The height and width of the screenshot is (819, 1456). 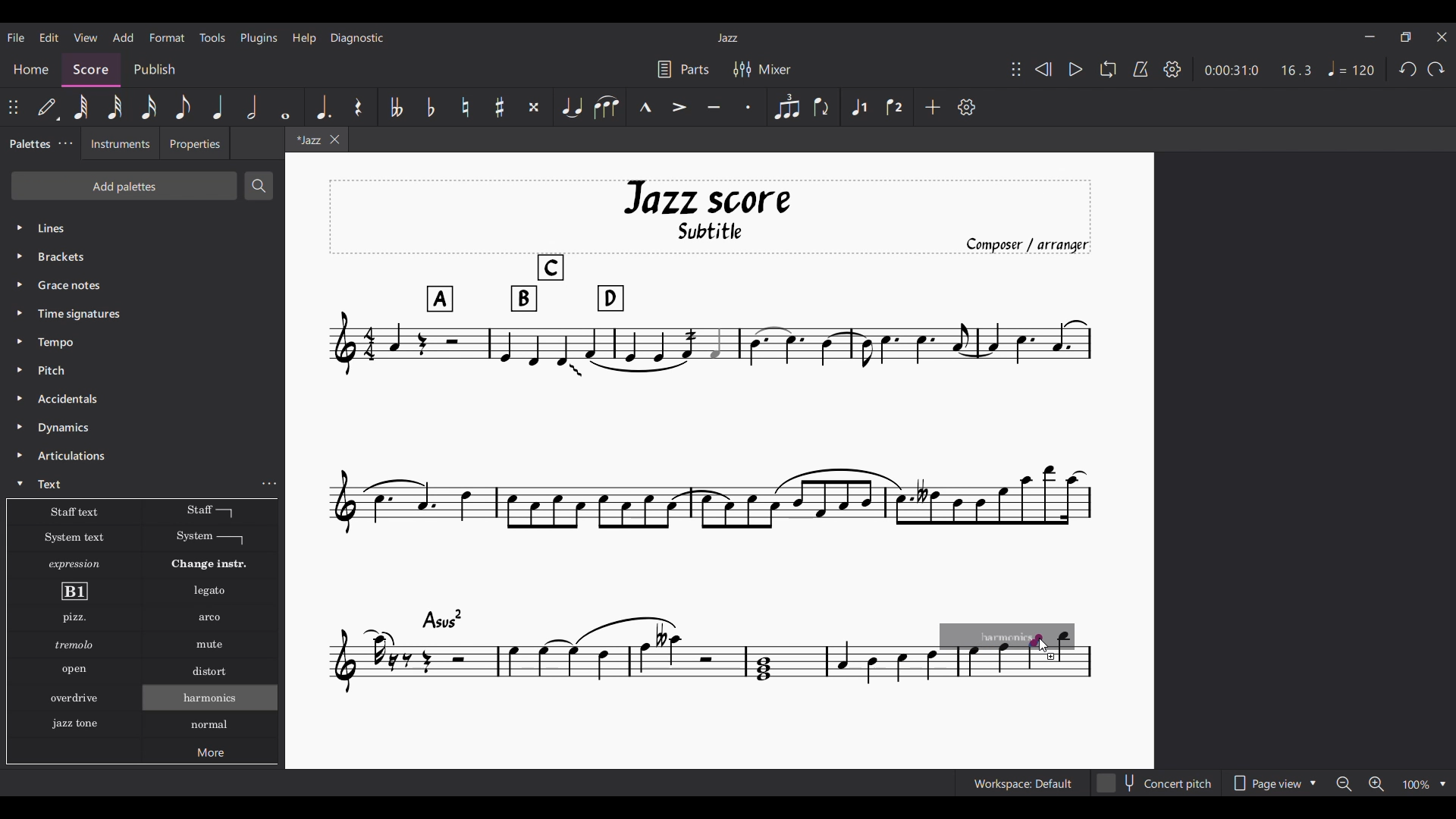 What do you see at coordinates (623, 657) in the screenshot?
I see `Music Notes` at bounding box center [623, 657].